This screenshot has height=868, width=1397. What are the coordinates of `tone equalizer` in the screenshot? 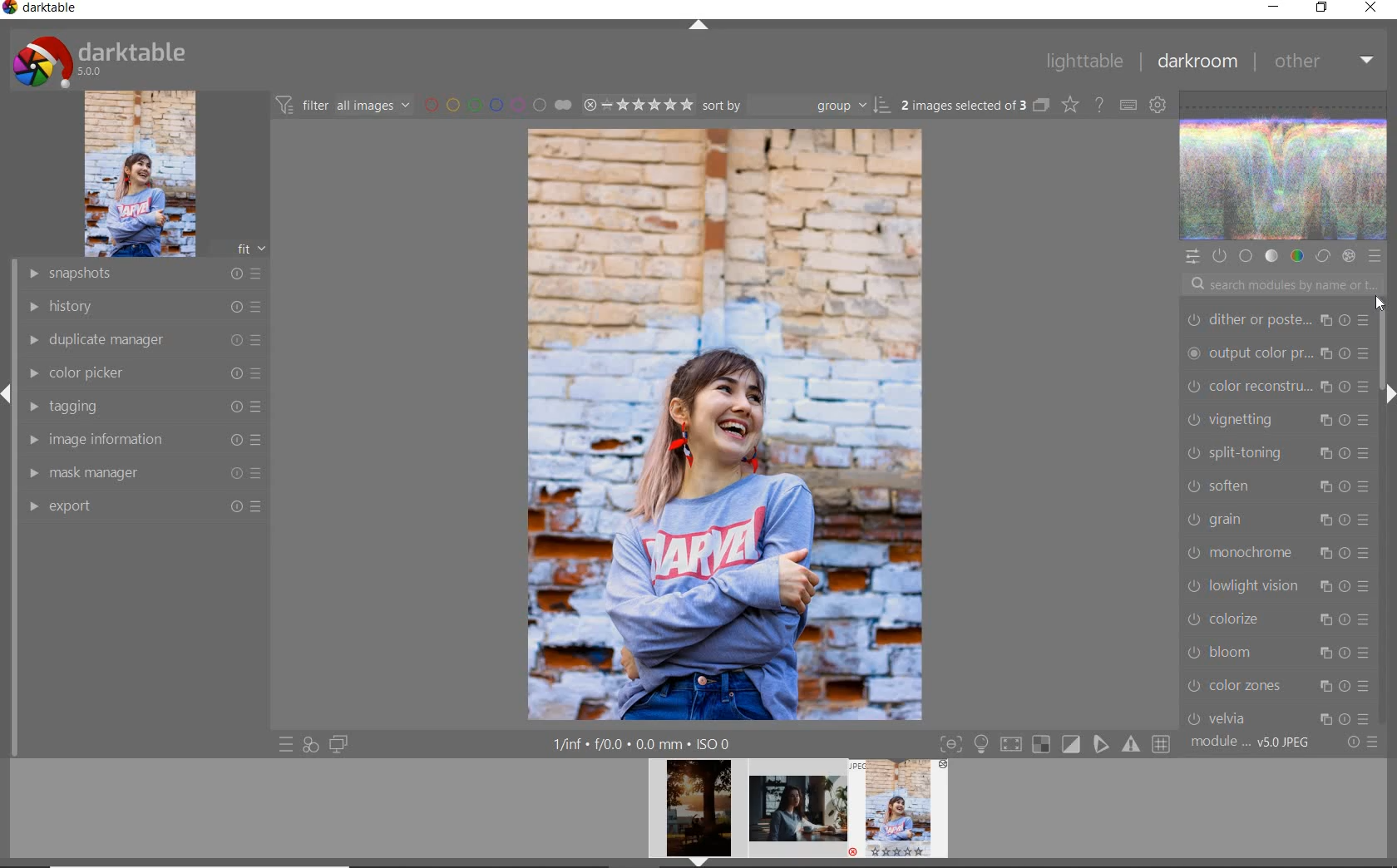 It's located at (1276, 385).